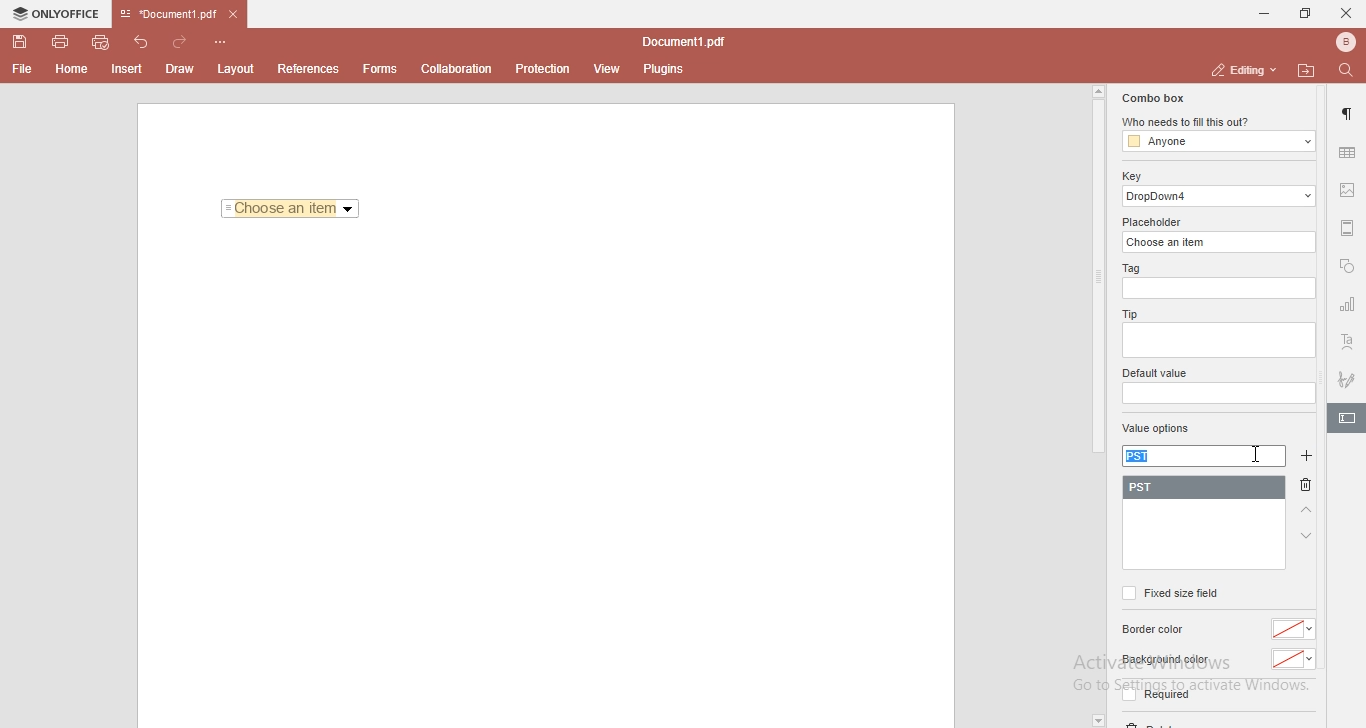  I want to click on dropdown 4, so click(1220, 196).